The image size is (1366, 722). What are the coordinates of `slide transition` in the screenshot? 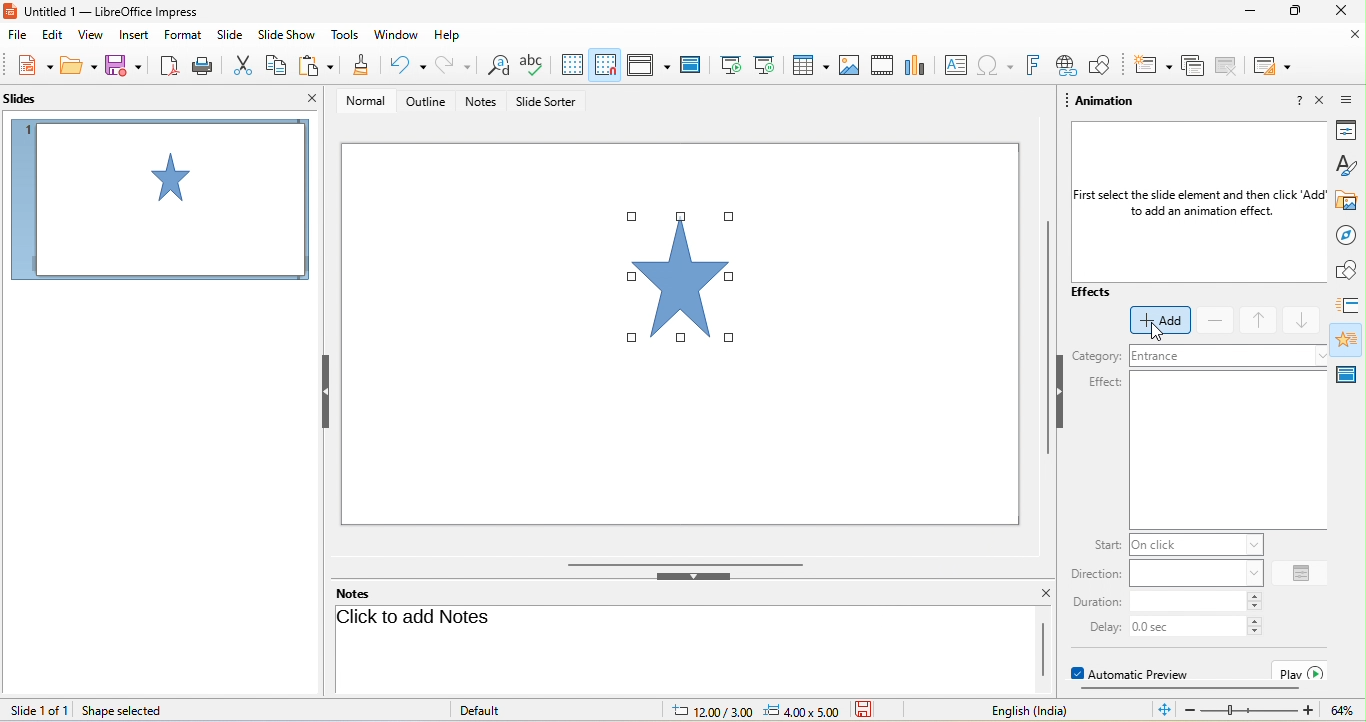 It's located at (1350, 305).